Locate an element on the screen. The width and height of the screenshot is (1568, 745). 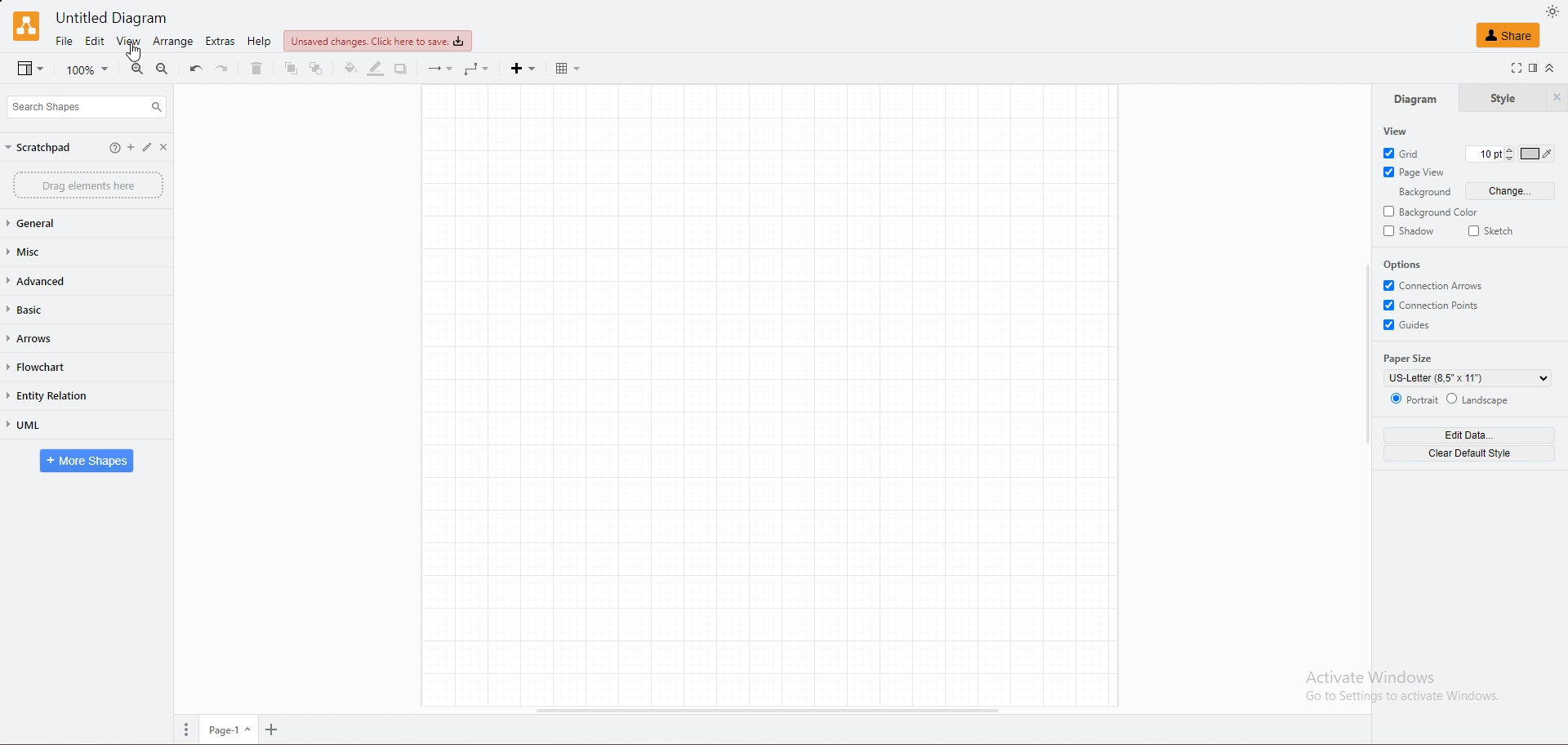
grid is located at coordinates (1408, 152).